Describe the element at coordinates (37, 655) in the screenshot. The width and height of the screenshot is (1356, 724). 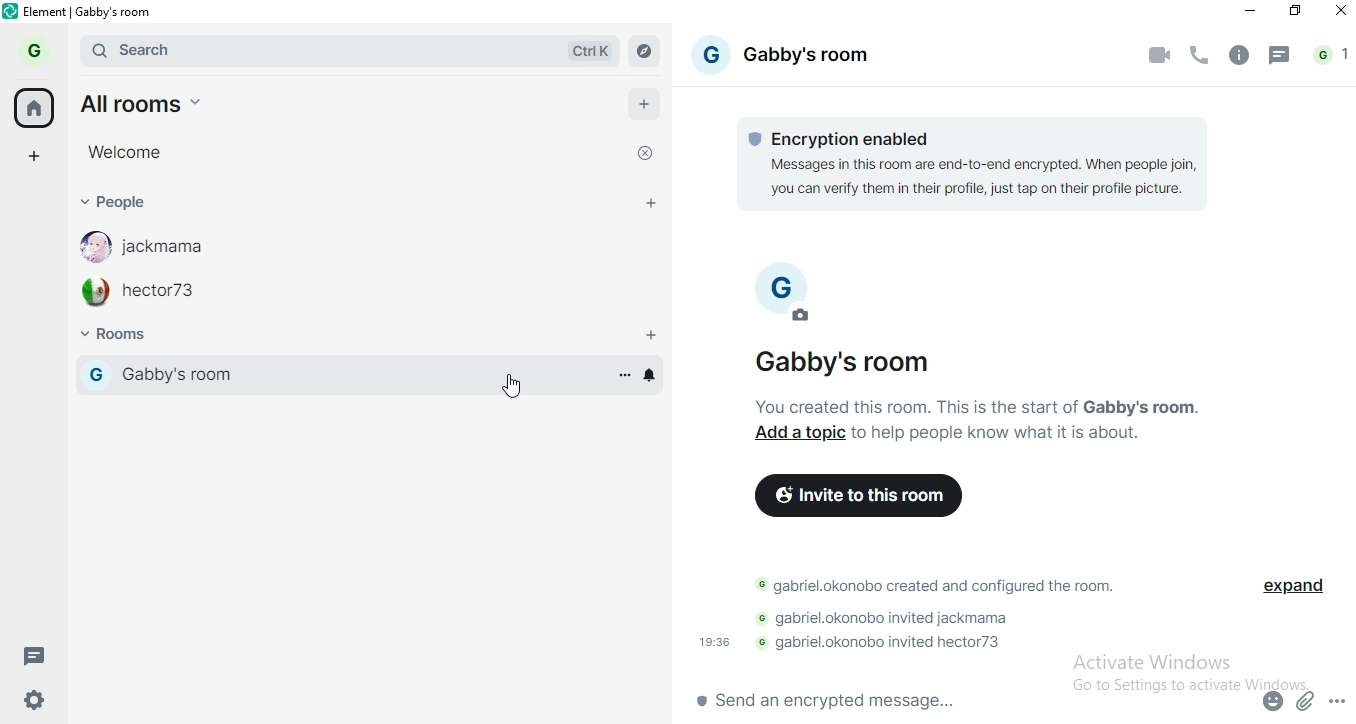
I see `message` at that location.